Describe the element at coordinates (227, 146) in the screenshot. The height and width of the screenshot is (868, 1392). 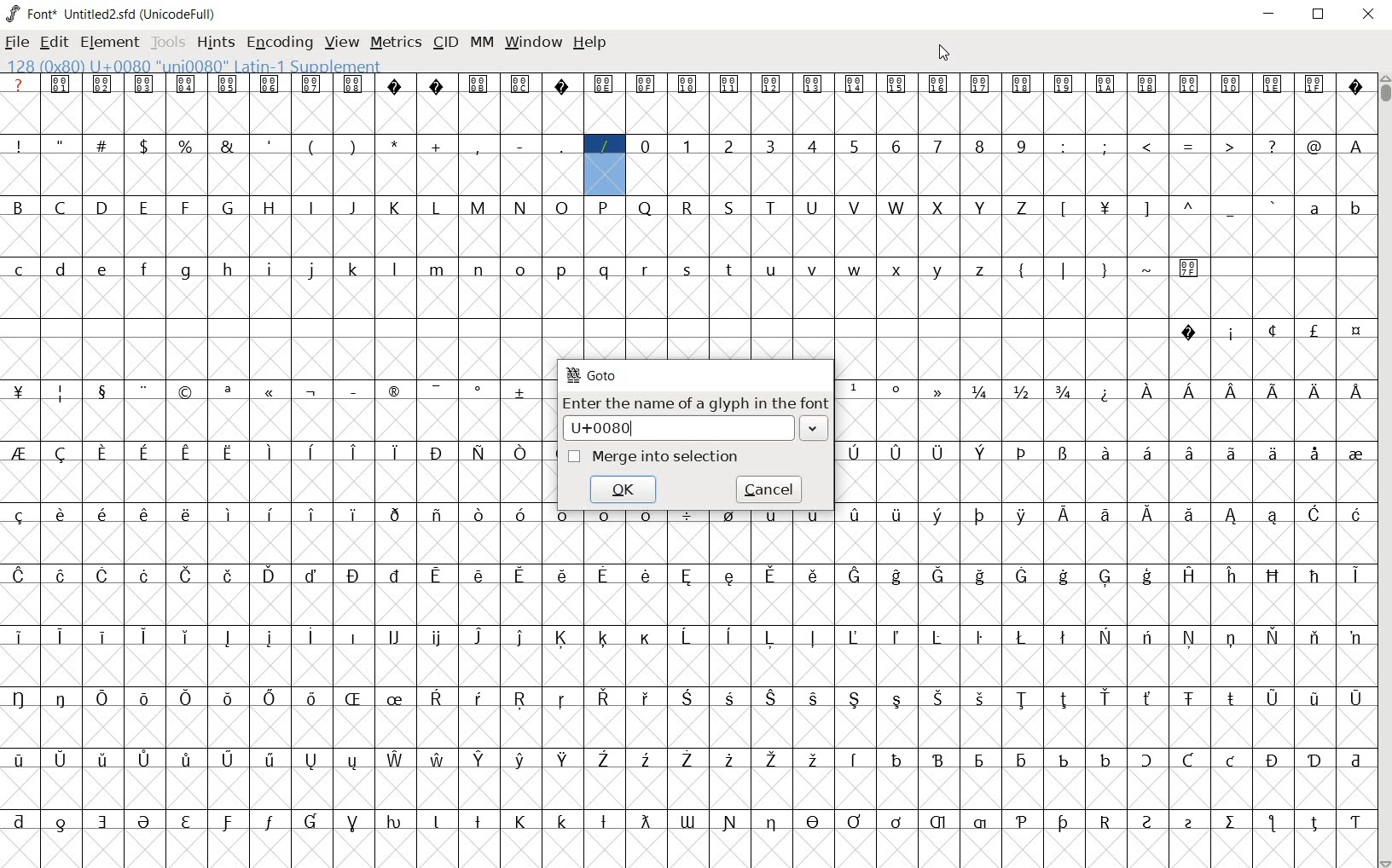
I see `glyph` at that location.